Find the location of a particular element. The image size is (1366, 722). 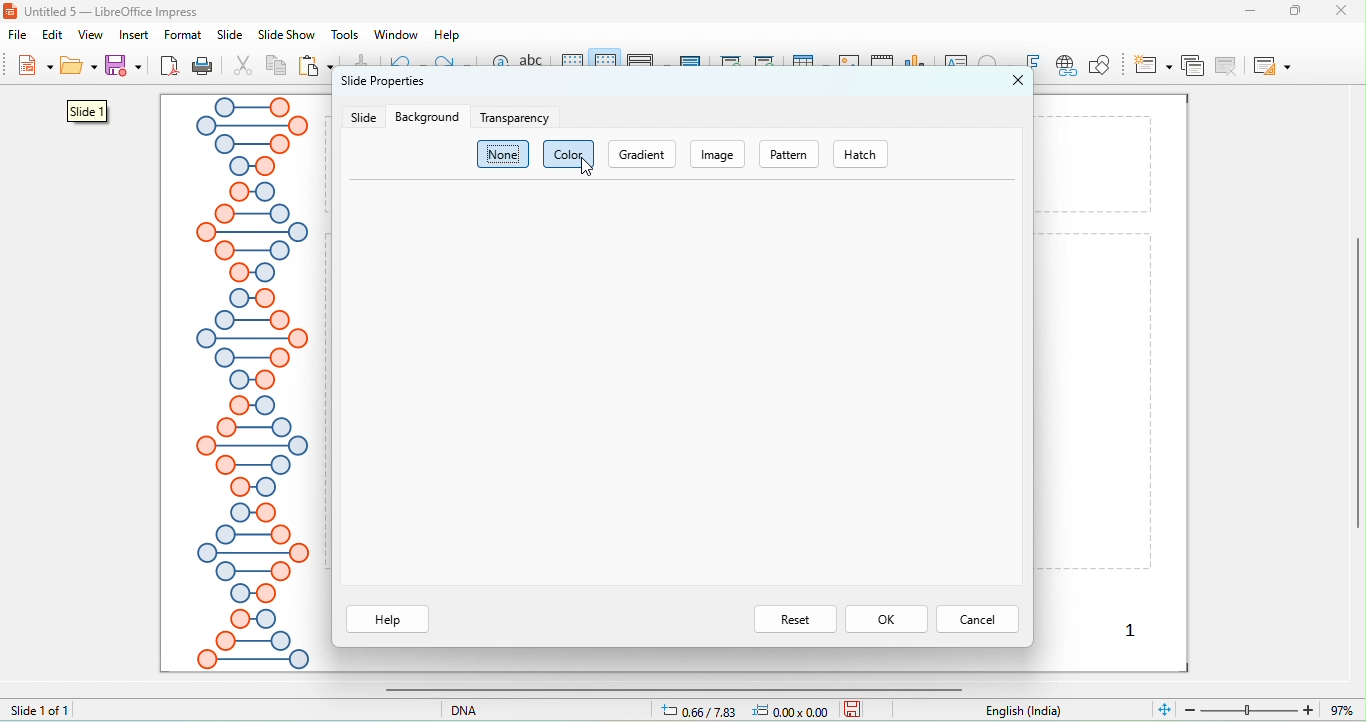

hyperlink is located at coordinates (1065, 67).